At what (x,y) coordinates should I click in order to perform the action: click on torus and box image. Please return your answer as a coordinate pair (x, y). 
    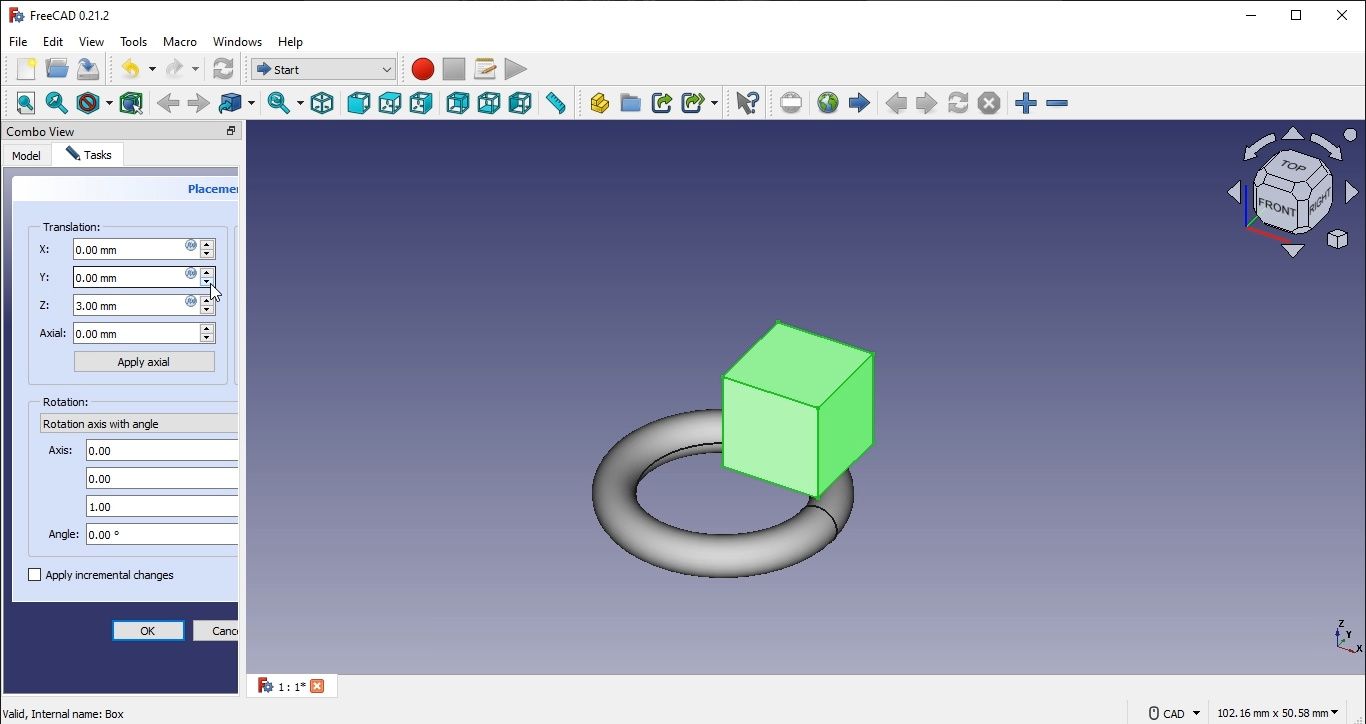
    Looking at the image, I should click on (744, 447).